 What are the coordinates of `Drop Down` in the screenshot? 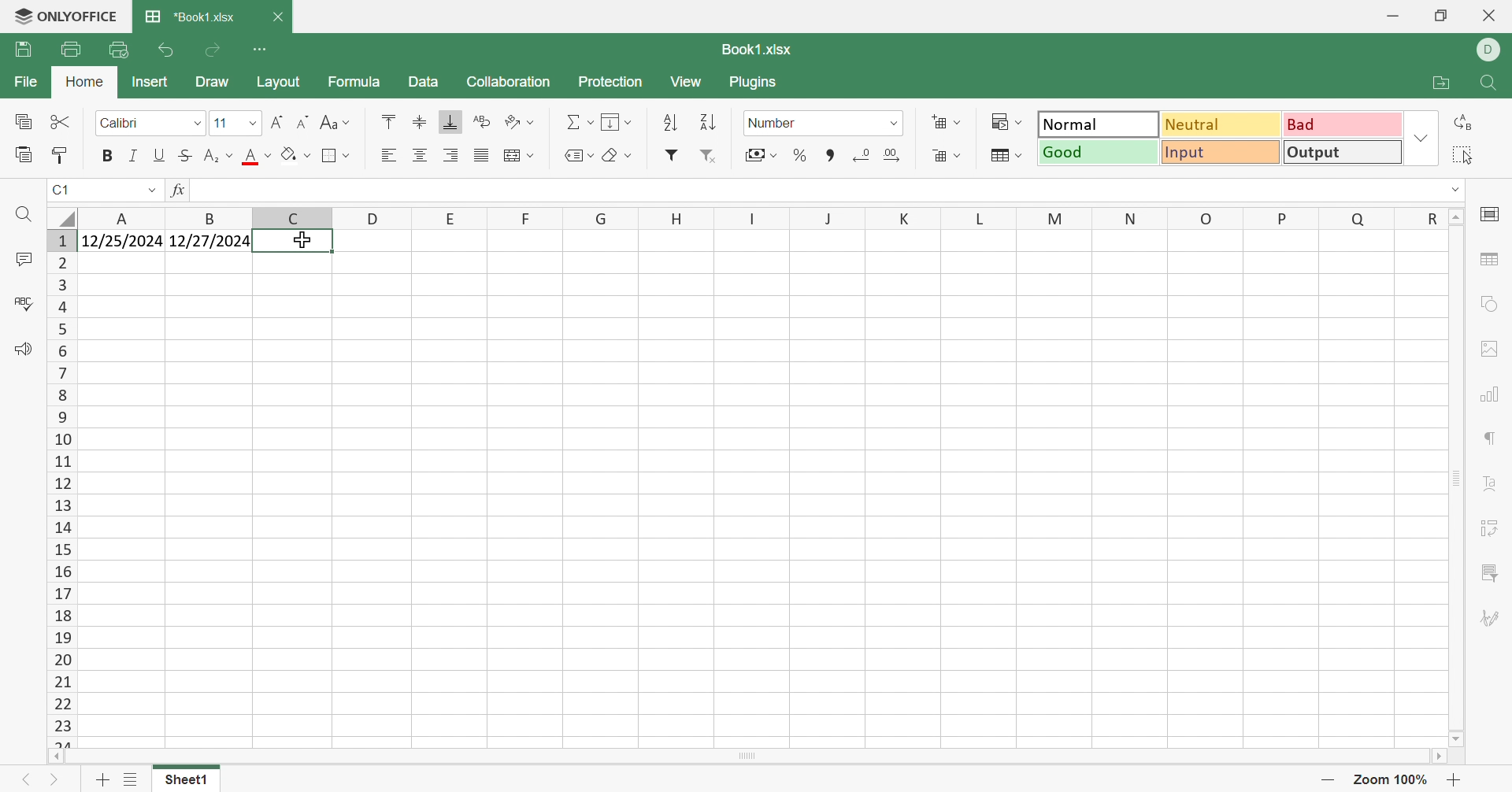 It's located at (1450, 191).